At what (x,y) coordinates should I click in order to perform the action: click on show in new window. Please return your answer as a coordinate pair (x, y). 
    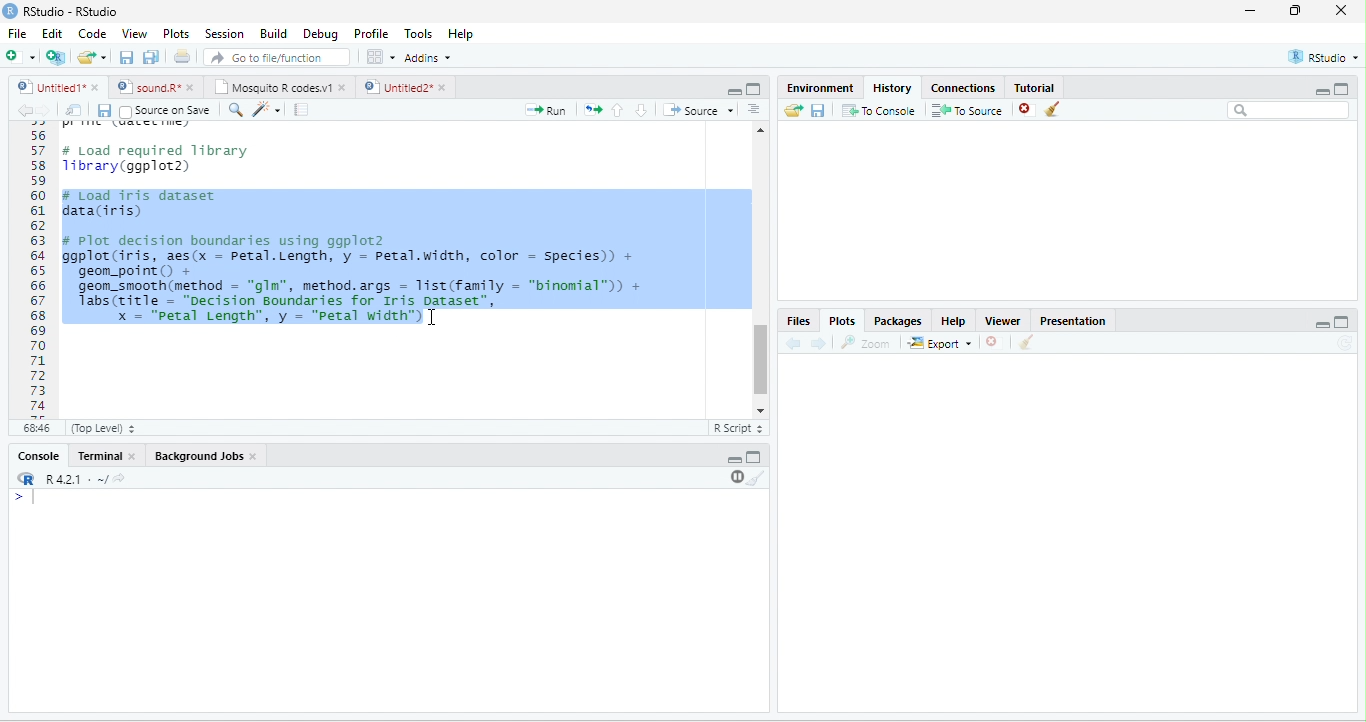
    Looking at the image, I should click on (75, 110).